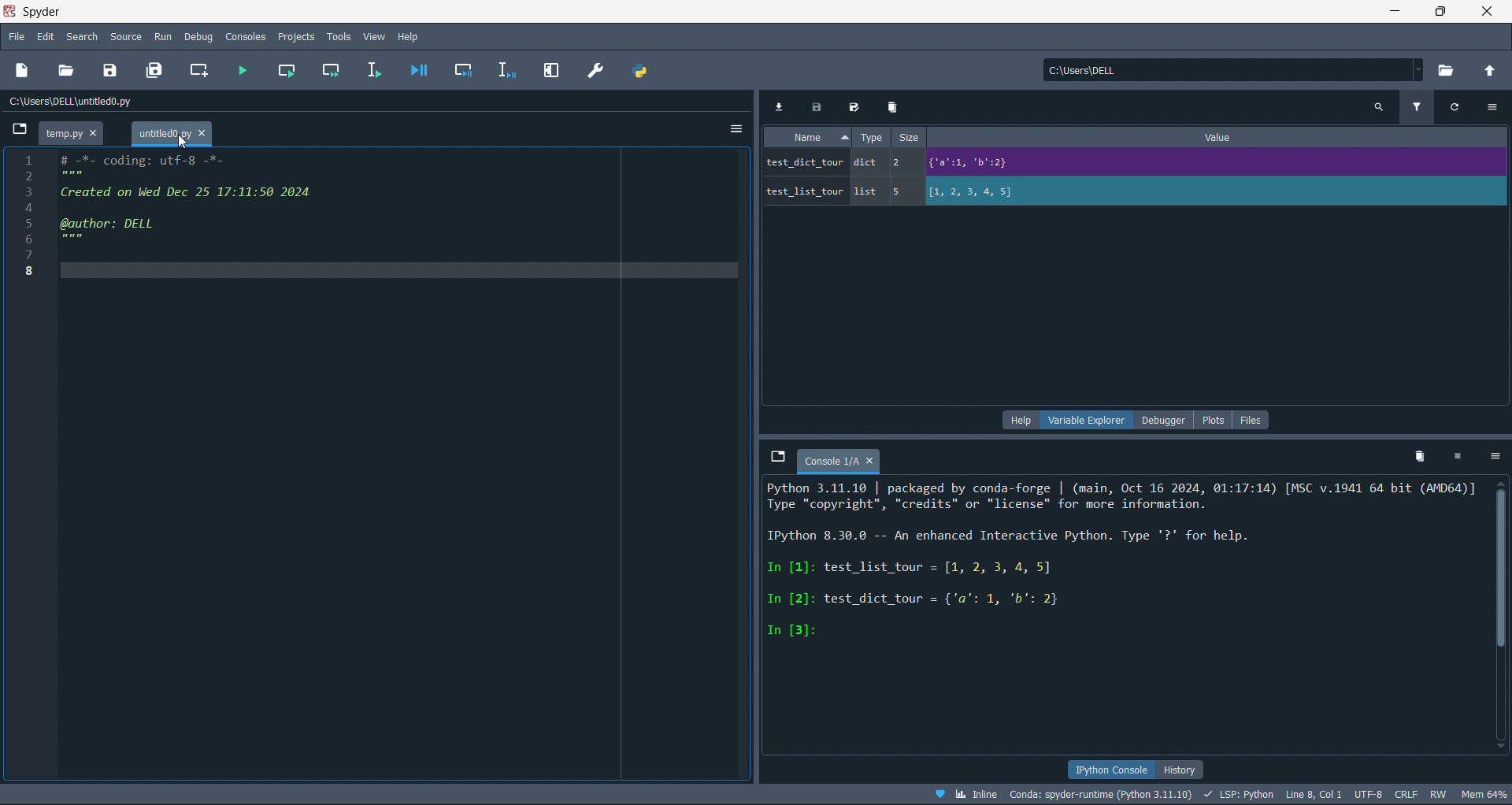 This screenshot has width=1512, height=805. What do you see at coordinates (113, 69) in the screenshot?
I see `save` at bounding box center [113, 69].